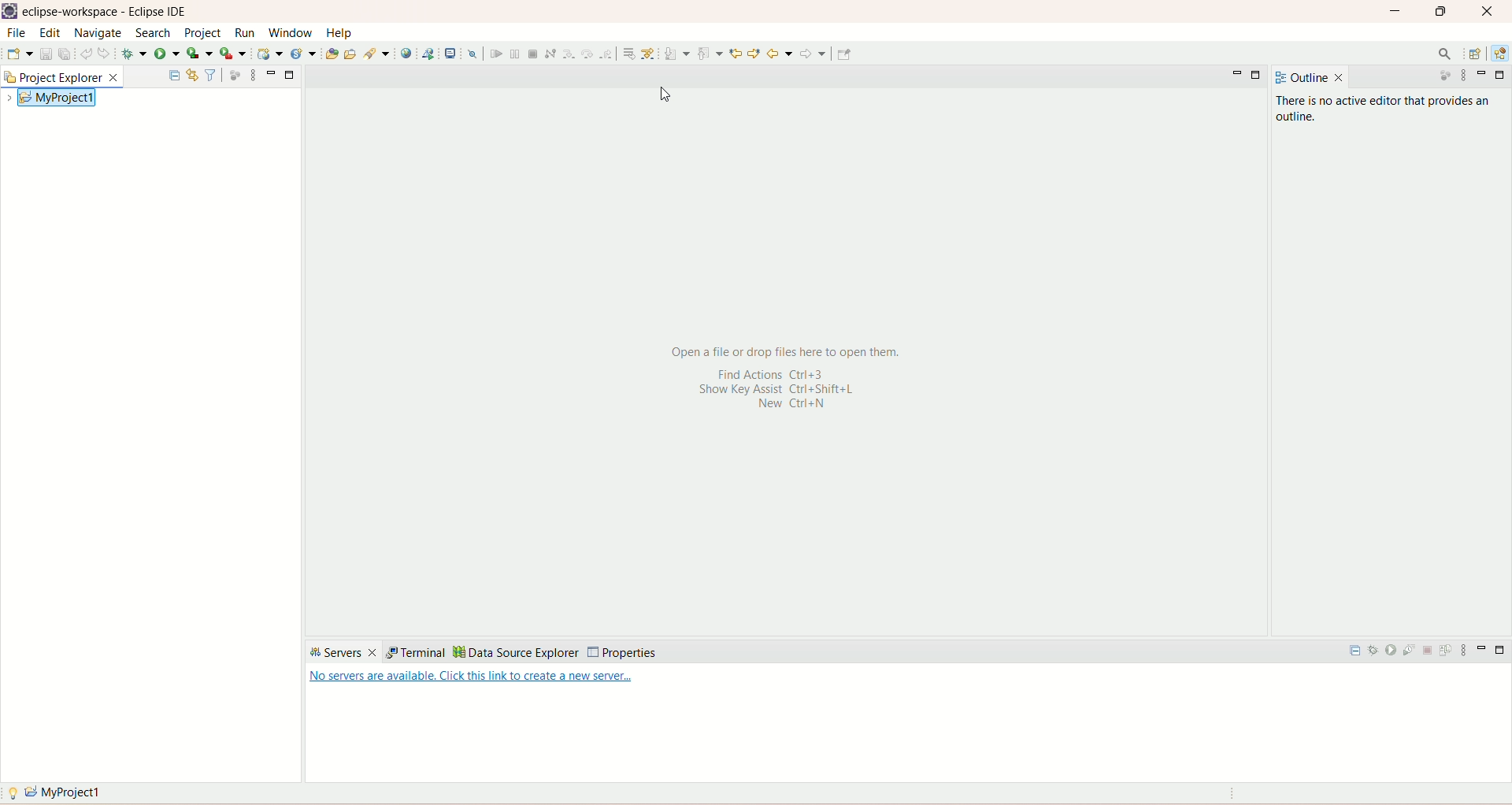  I want to click on data source explorer, so click(517, 652).